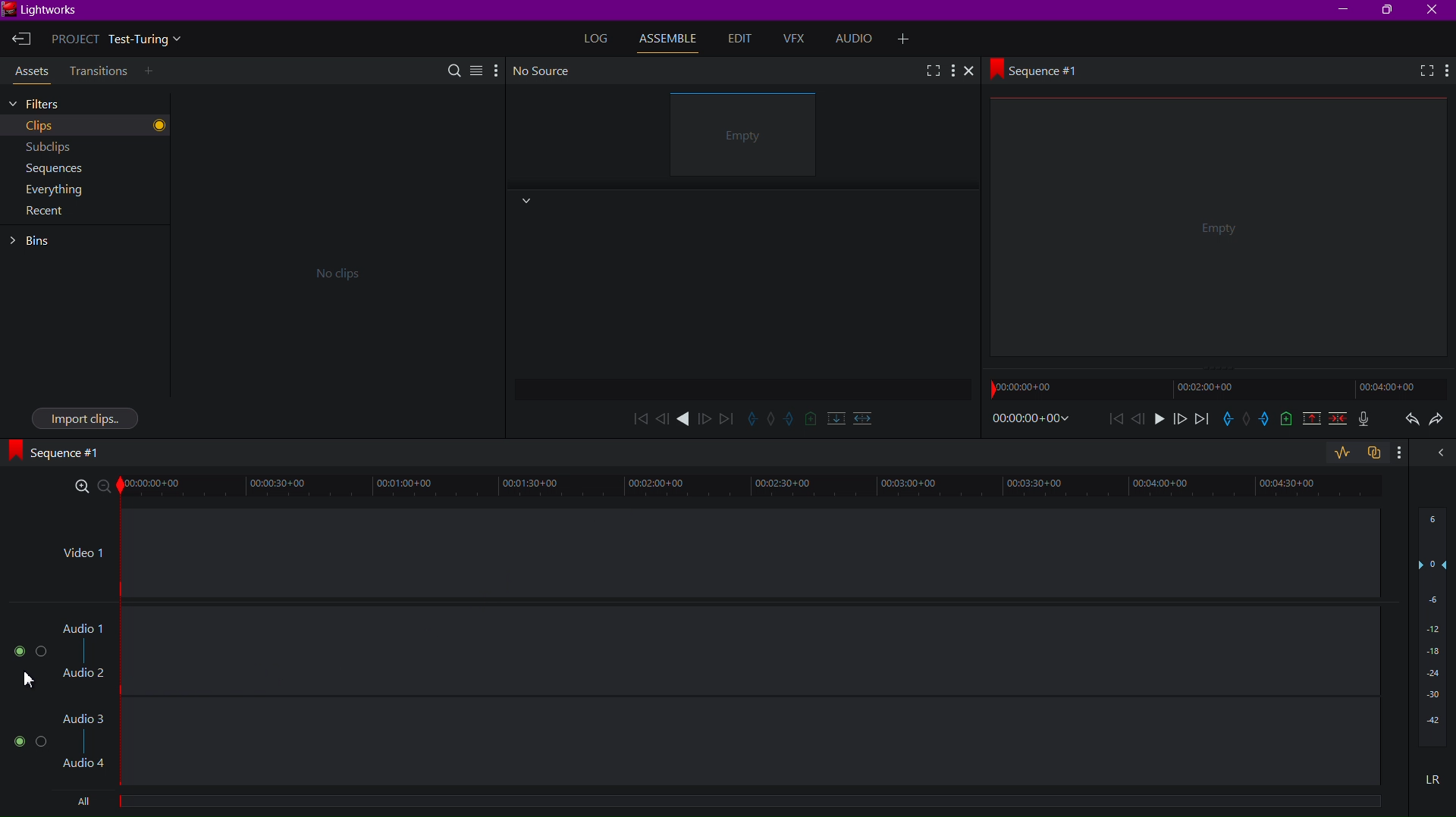 The width and height of the screenshot is (1456, 817). I want to click on Timestamp, so click(1031, 419).